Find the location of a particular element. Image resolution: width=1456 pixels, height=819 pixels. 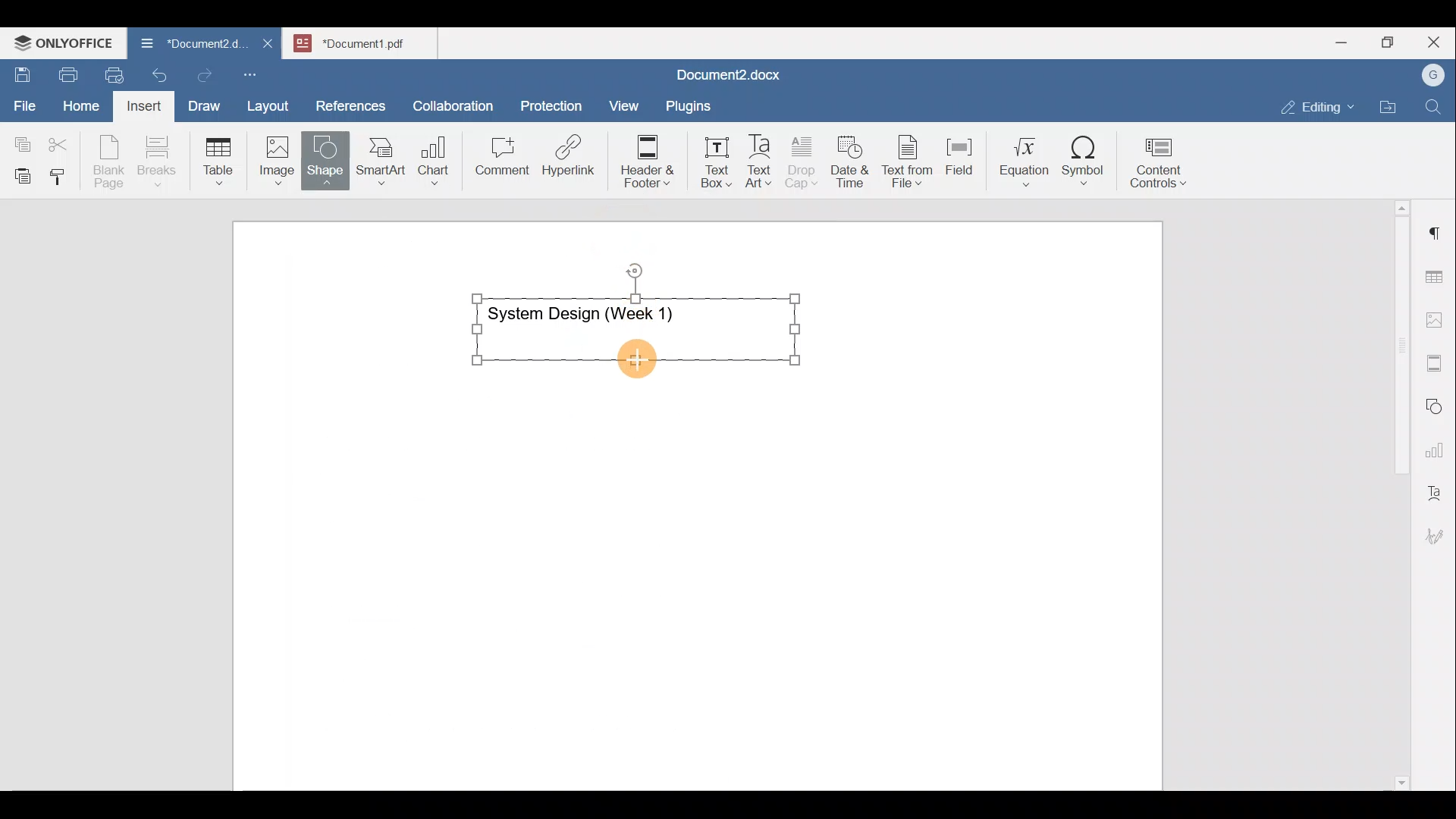

Text Art is located at coordinates (760, 162).